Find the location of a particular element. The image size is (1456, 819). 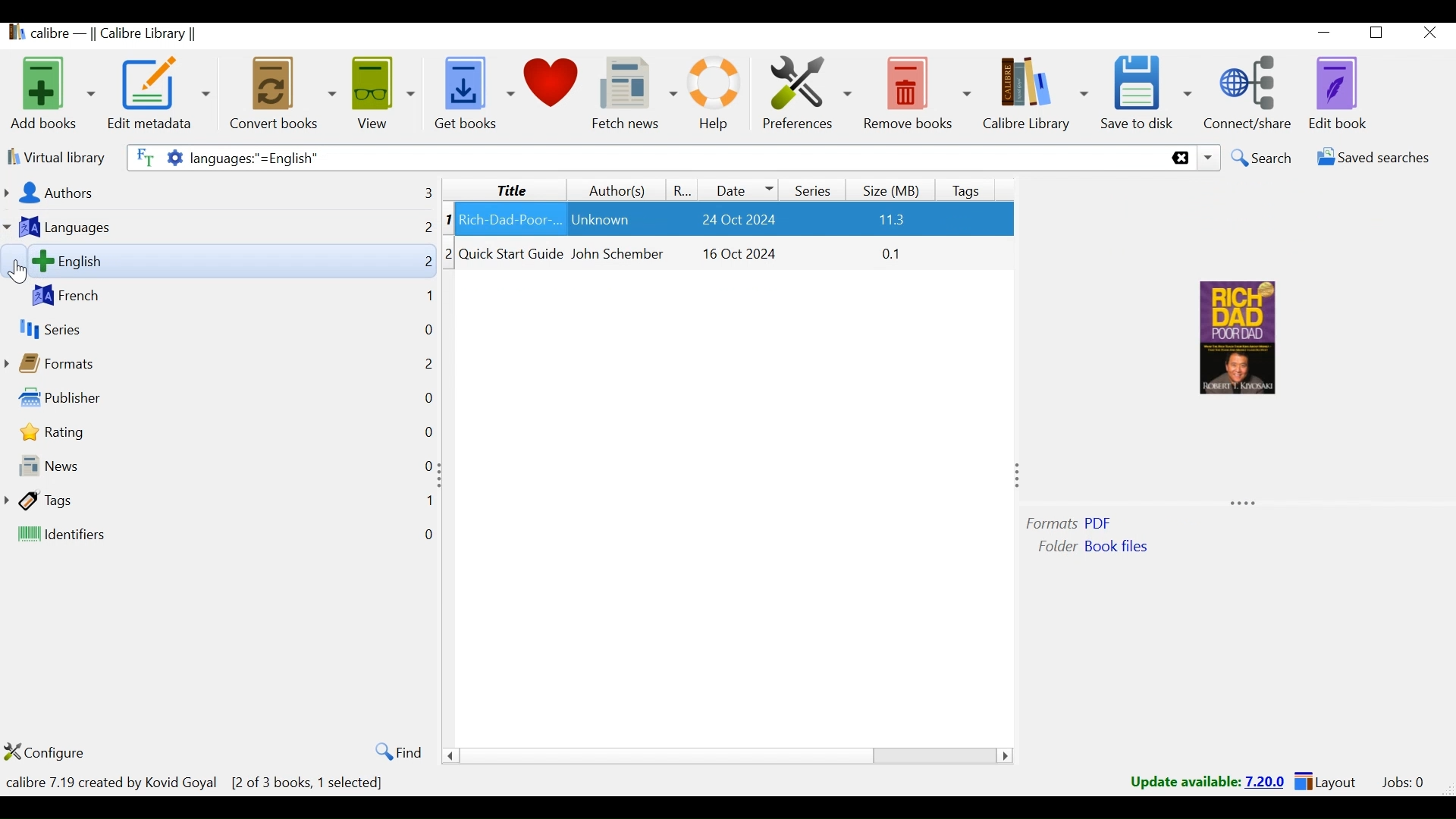

News is located at coordinates (127, 469).